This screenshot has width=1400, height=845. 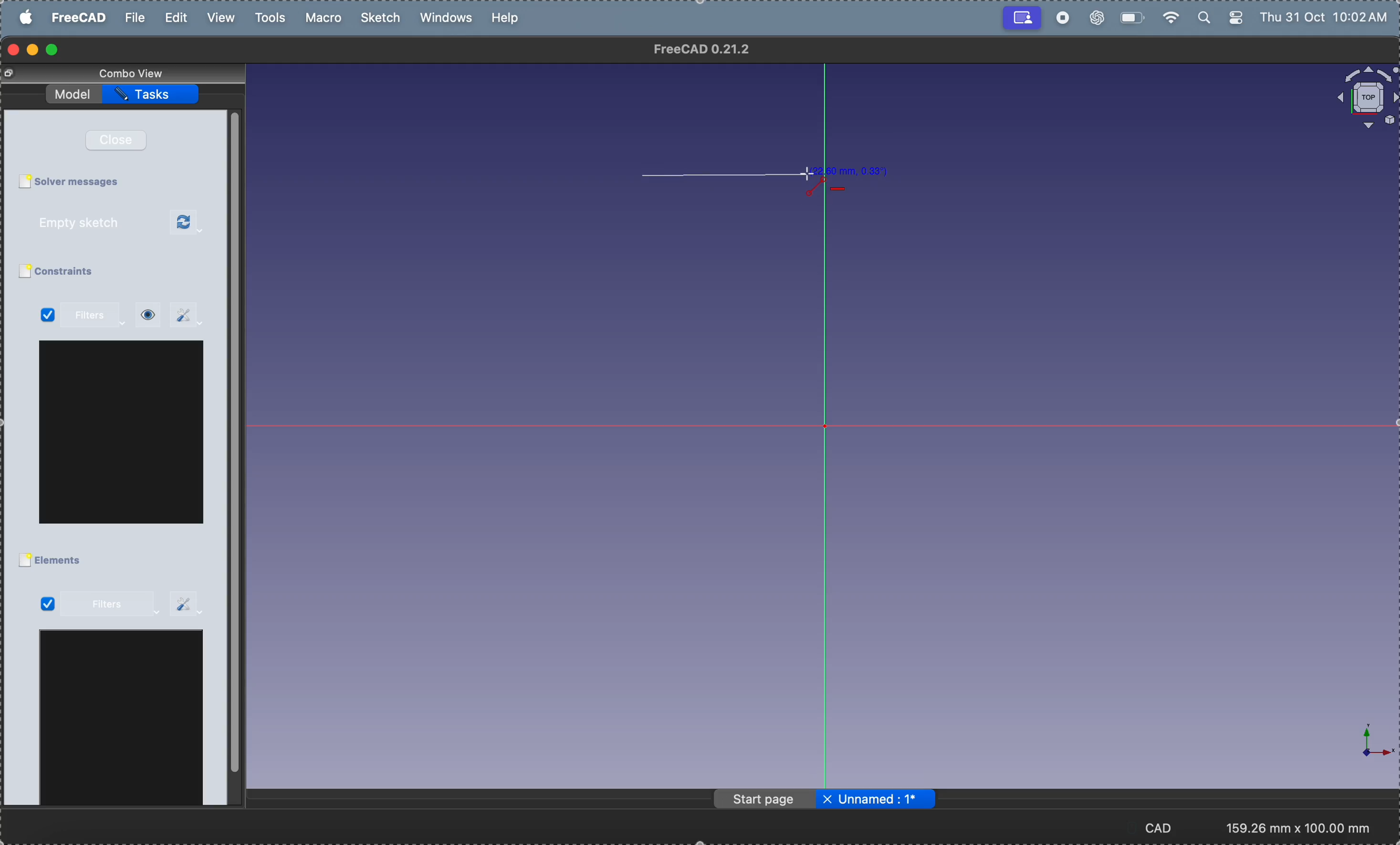 What do you see at coordinates (24, 182) in the screenshot?
I see `Checkbox` at bounding box center [24, 182].